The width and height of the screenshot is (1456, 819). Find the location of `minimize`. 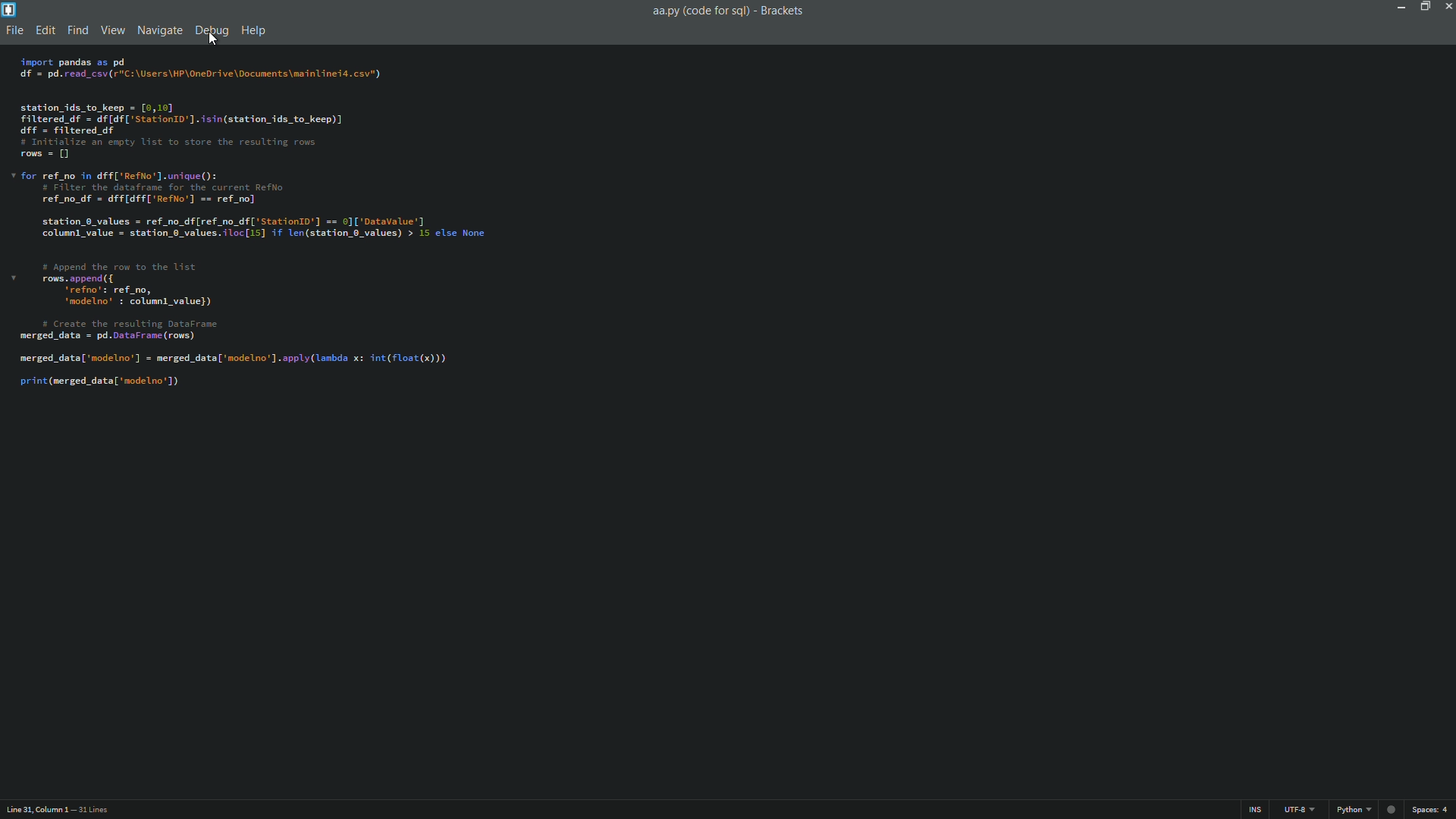

minimize is located at coordinates (1401, 7).